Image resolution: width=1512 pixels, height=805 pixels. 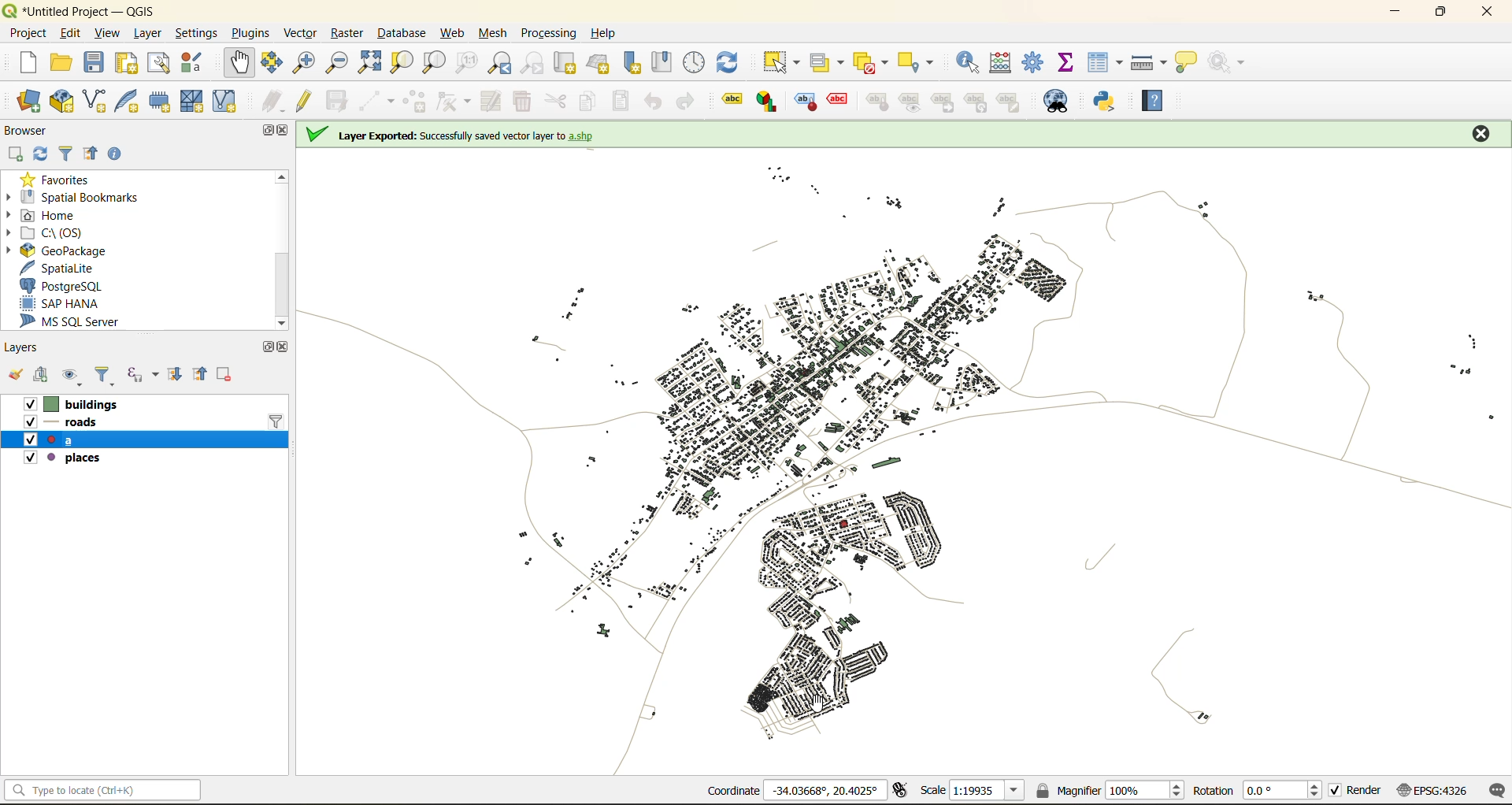 I want to click on zoom full, so click(x=369, y=63).